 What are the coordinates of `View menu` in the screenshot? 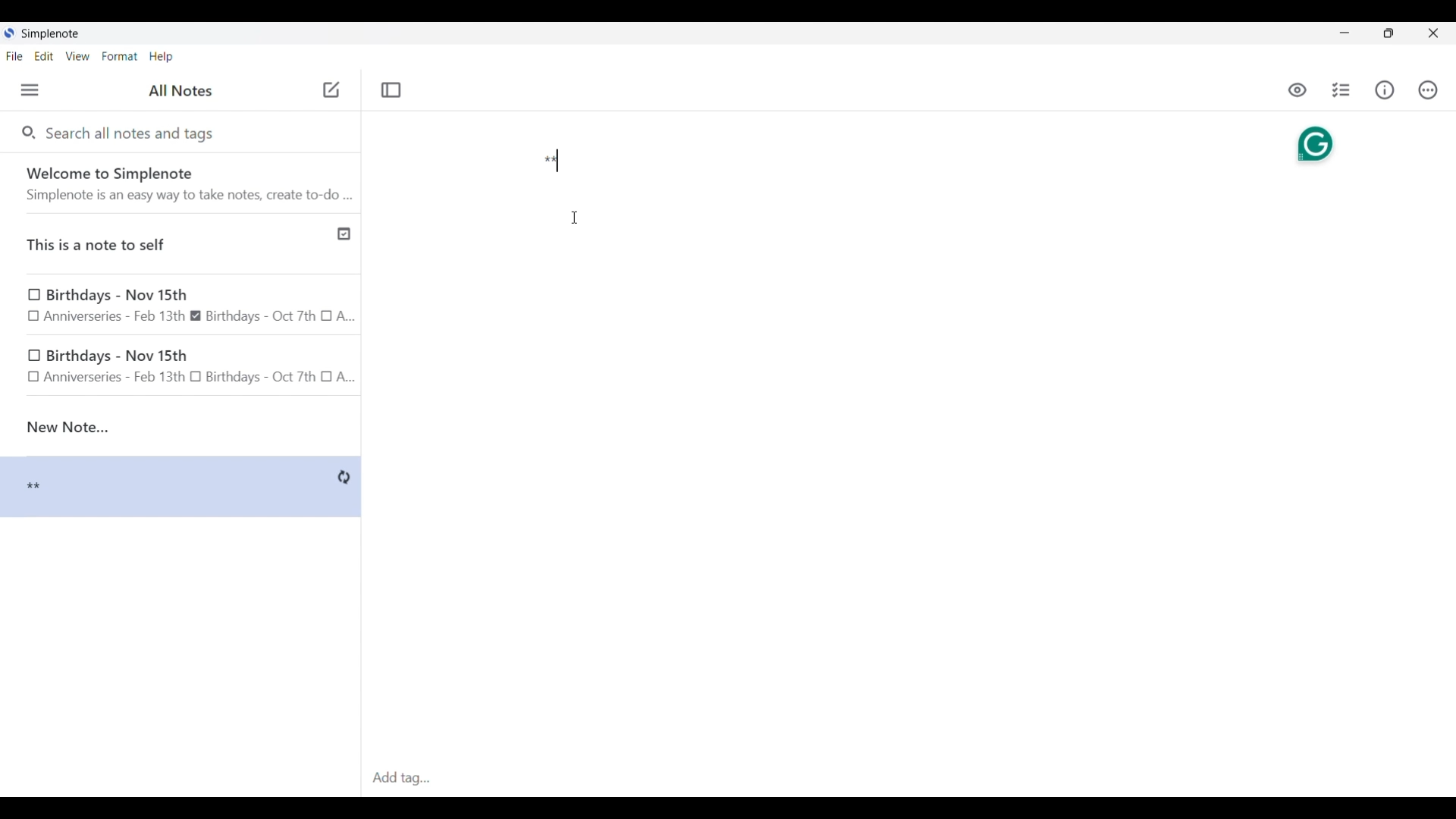 It's located at (78, 55).